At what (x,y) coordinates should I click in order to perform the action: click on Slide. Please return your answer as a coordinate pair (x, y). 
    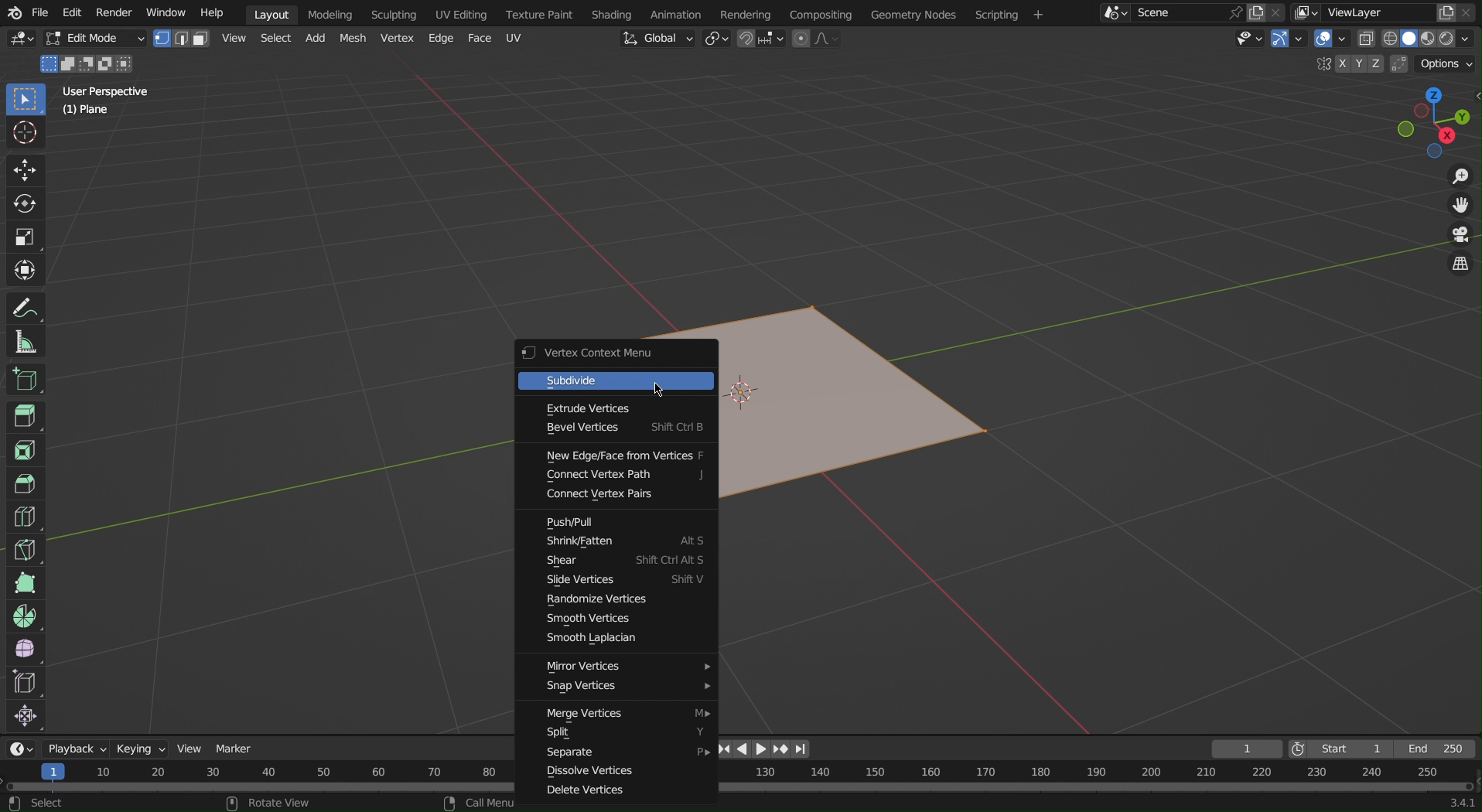
    Looking at the image, I should click on (623, 583).